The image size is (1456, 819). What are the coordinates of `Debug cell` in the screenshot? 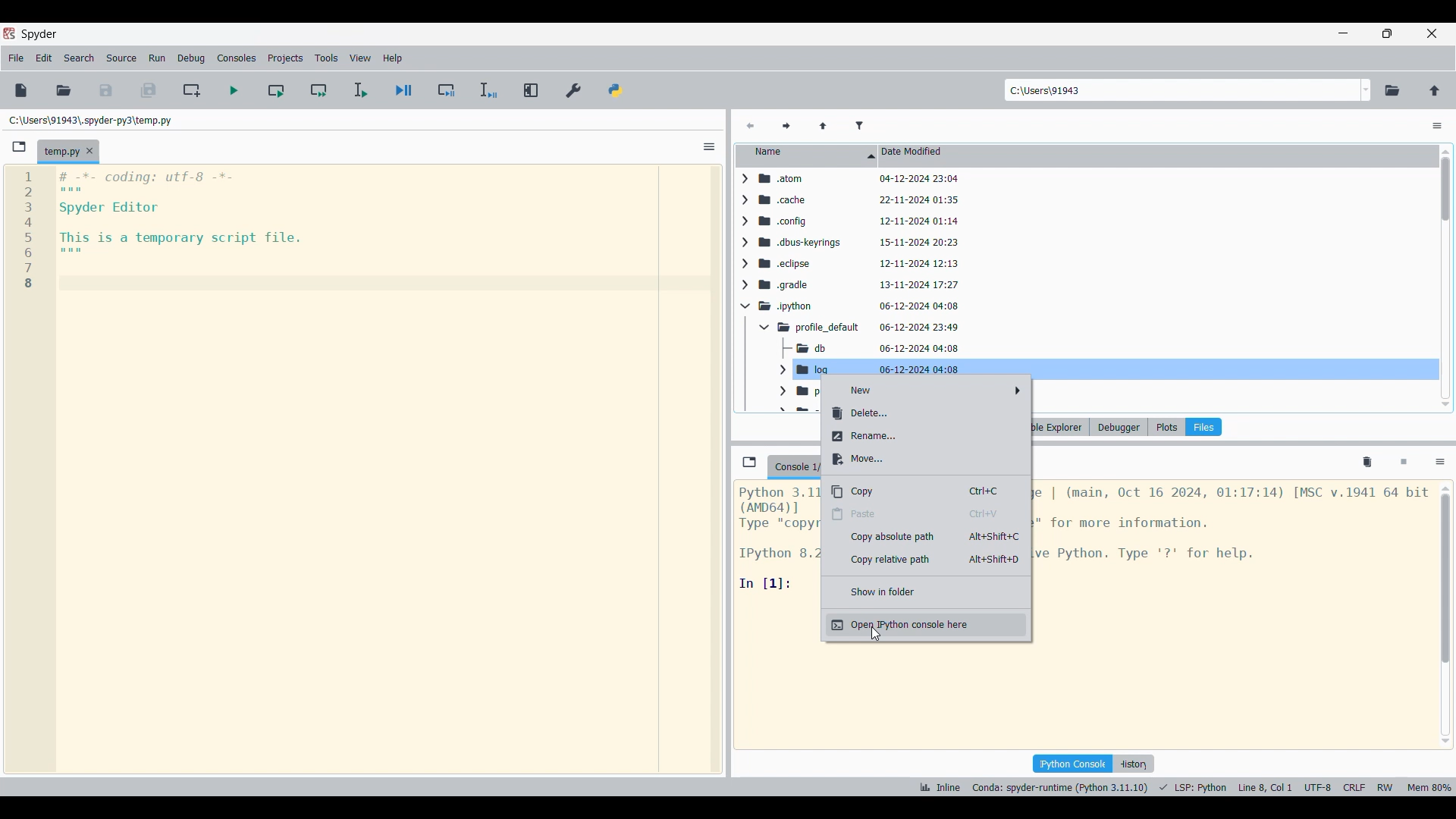 It's located at (447, 89).